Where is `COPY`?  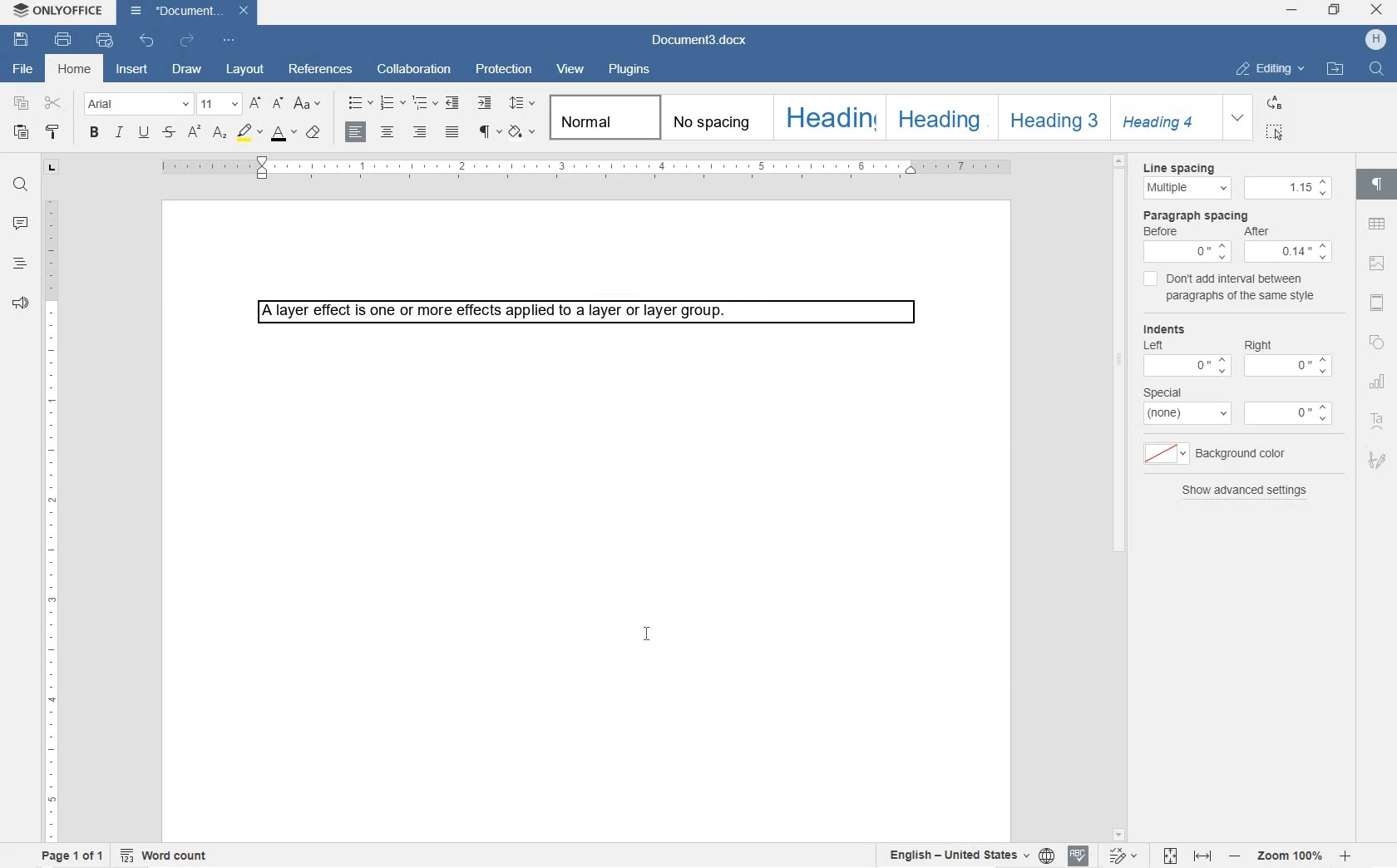
COPY is located at coordinates (21, 106).